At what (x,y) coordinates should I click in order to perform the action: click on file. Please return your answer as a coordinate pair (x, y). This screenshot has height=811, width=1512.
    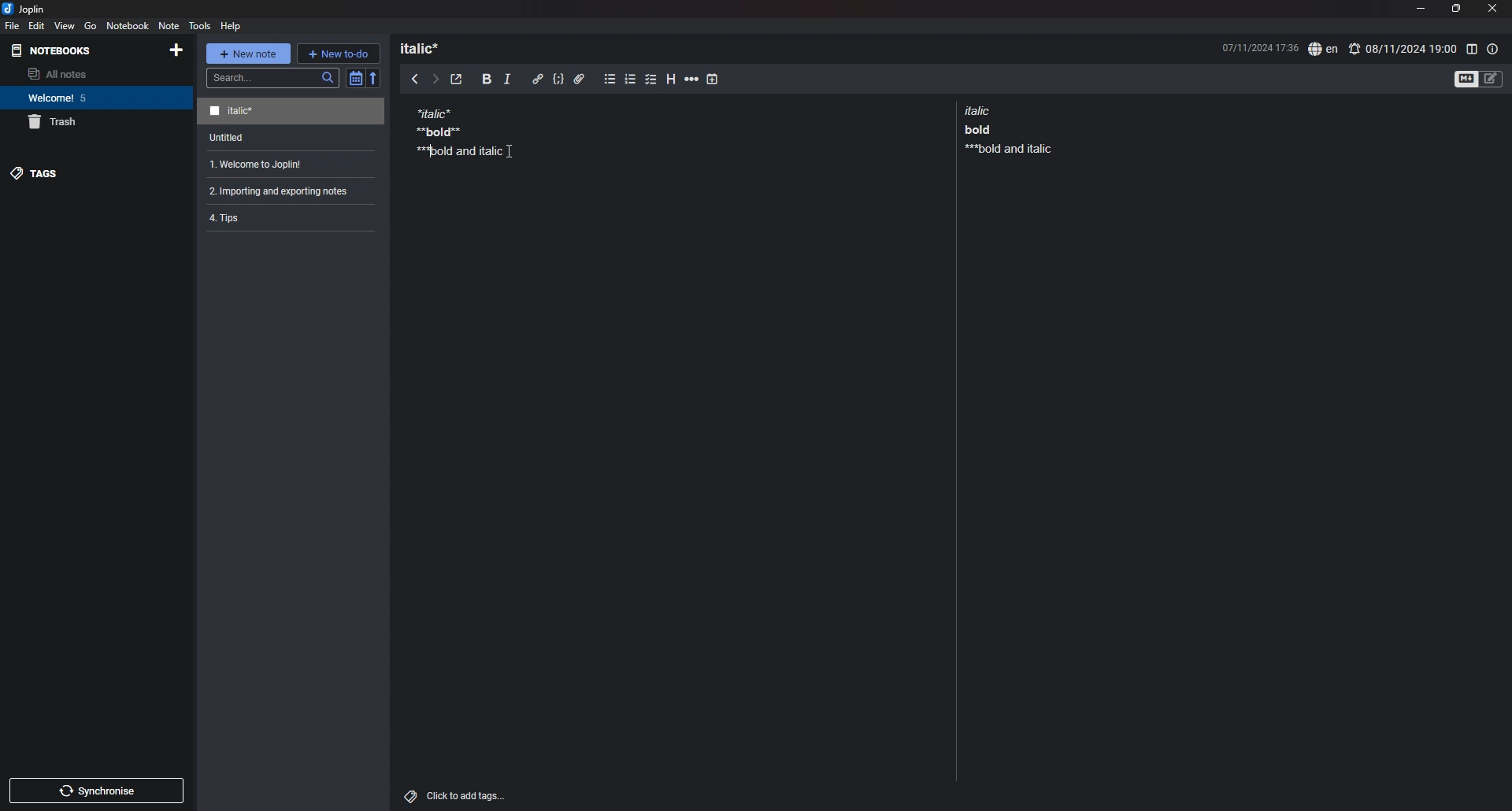
    Looking at the image, I should click on (13, 25).